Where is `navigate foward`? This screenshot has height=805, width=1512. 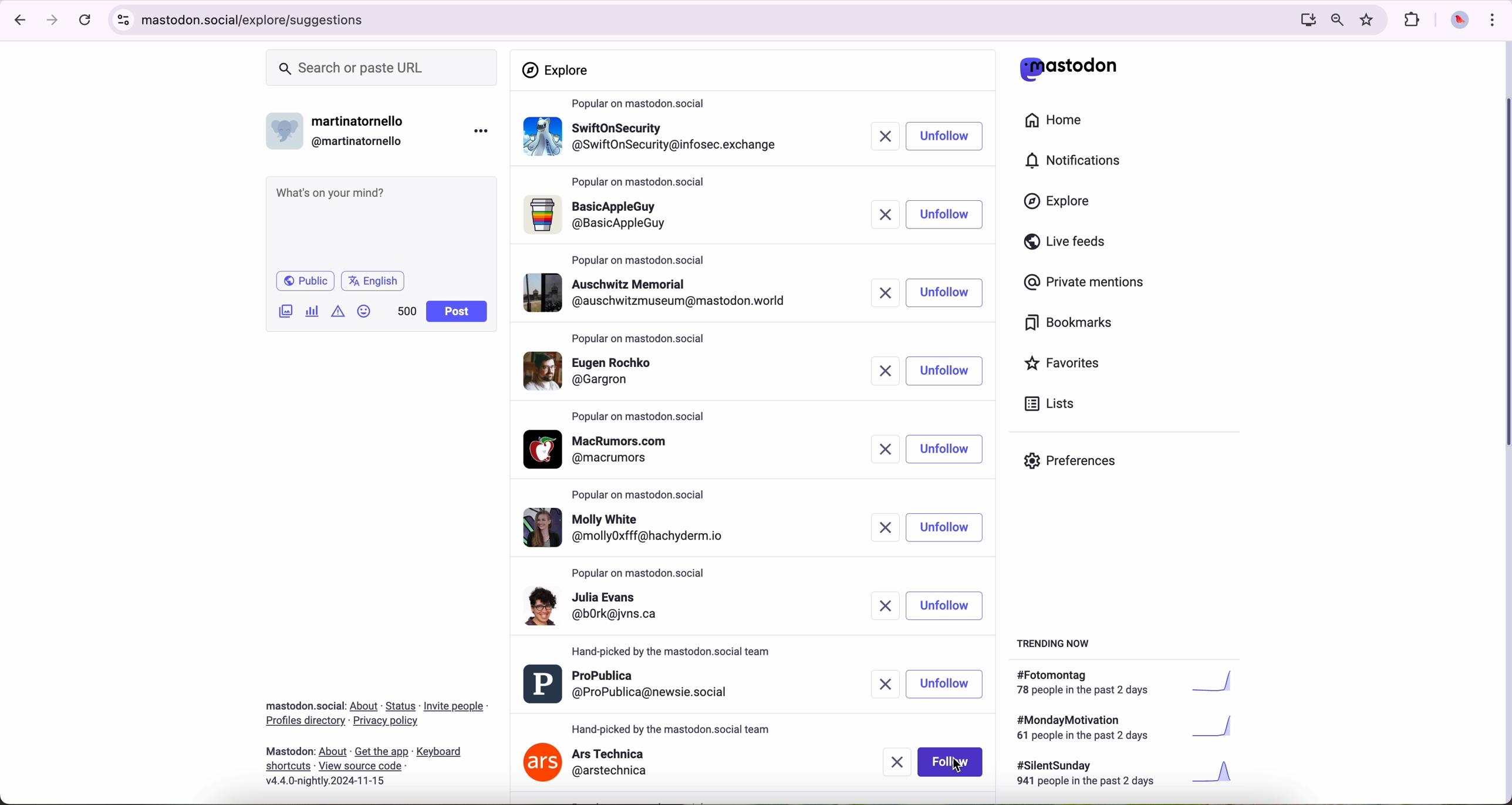 navigate foward is located at coordinates (53, 21).